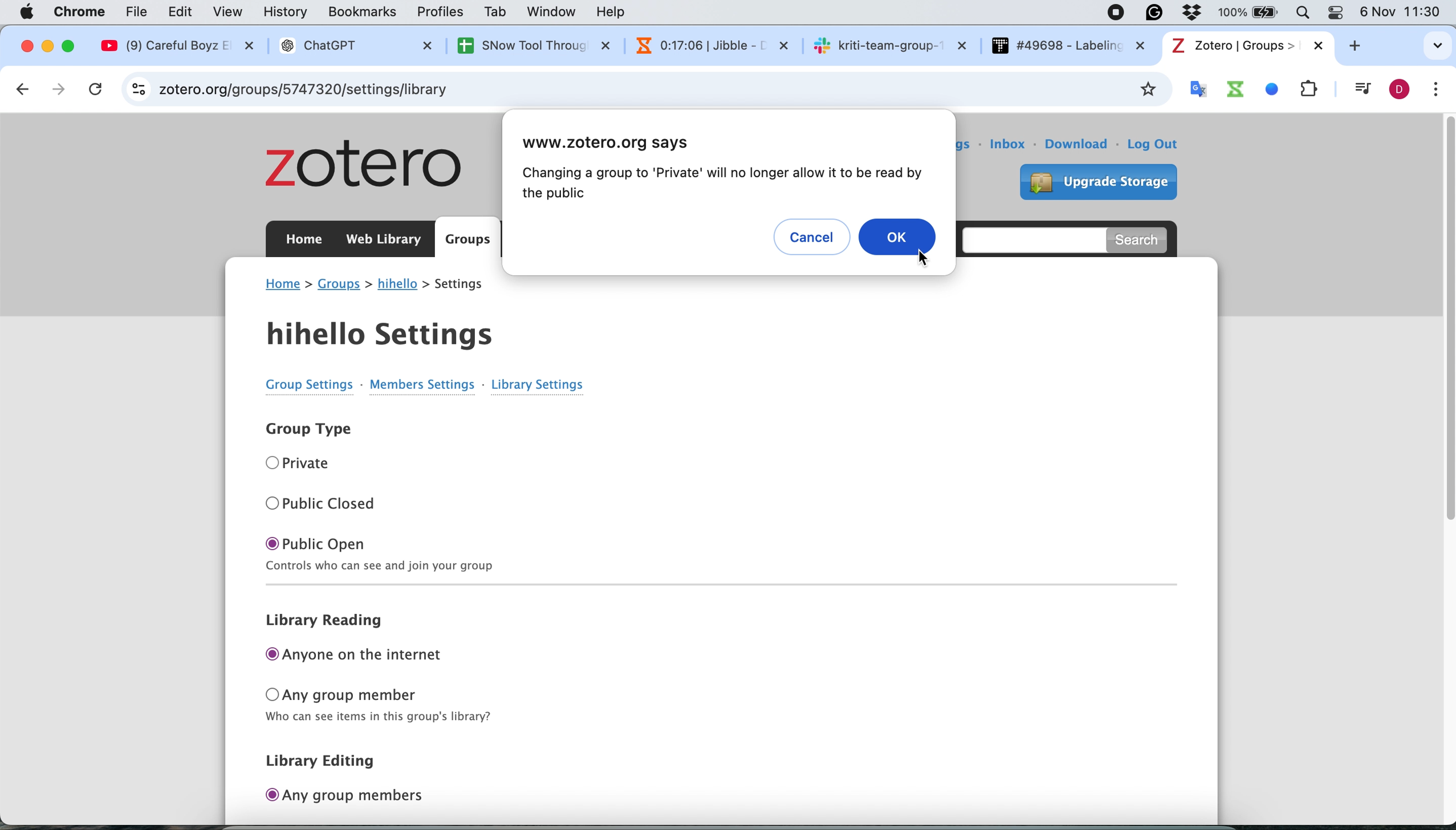  Describe the element at coordinates (1300, 11) in the screenshot. I see `Search Bar` at that location.